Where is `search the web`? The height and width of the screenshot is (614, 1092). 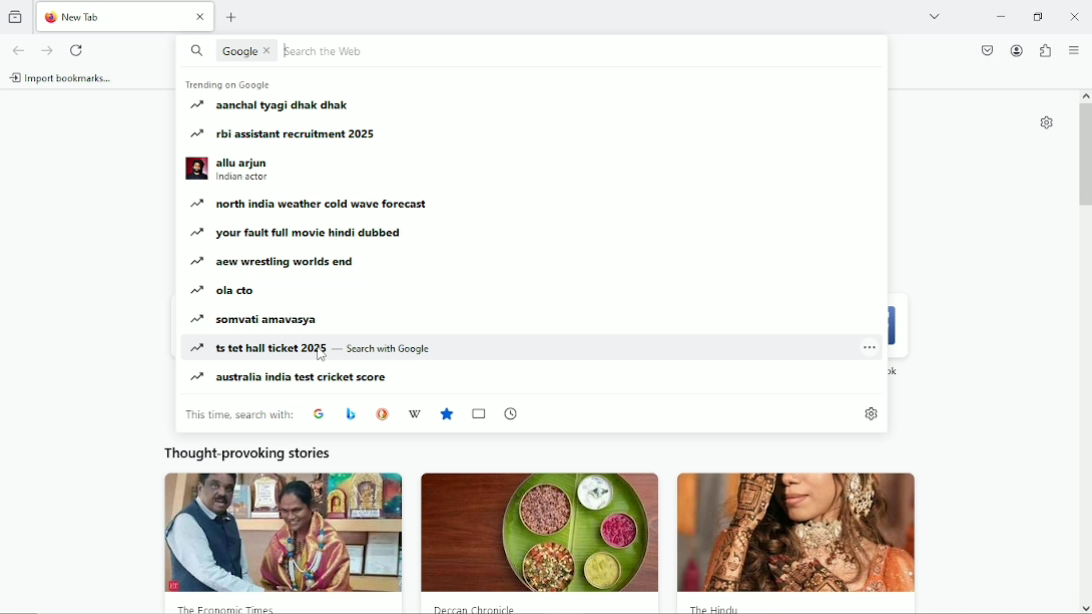 search the web is located at coordinates (332, 50).